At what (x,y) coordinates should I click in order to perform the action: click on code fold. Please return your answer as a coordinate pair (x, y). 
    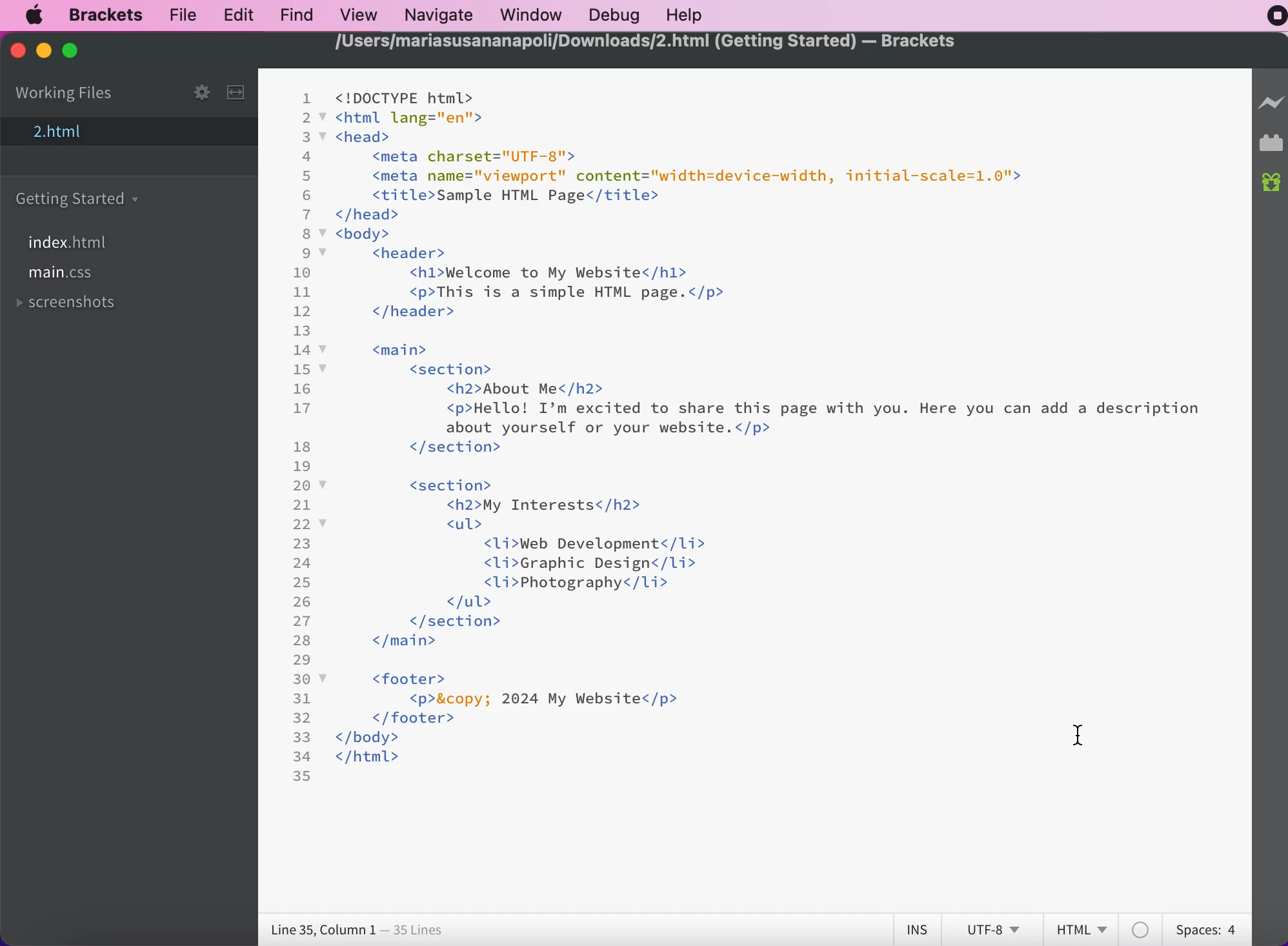
    Looking at the image, I should click on (323, 485).